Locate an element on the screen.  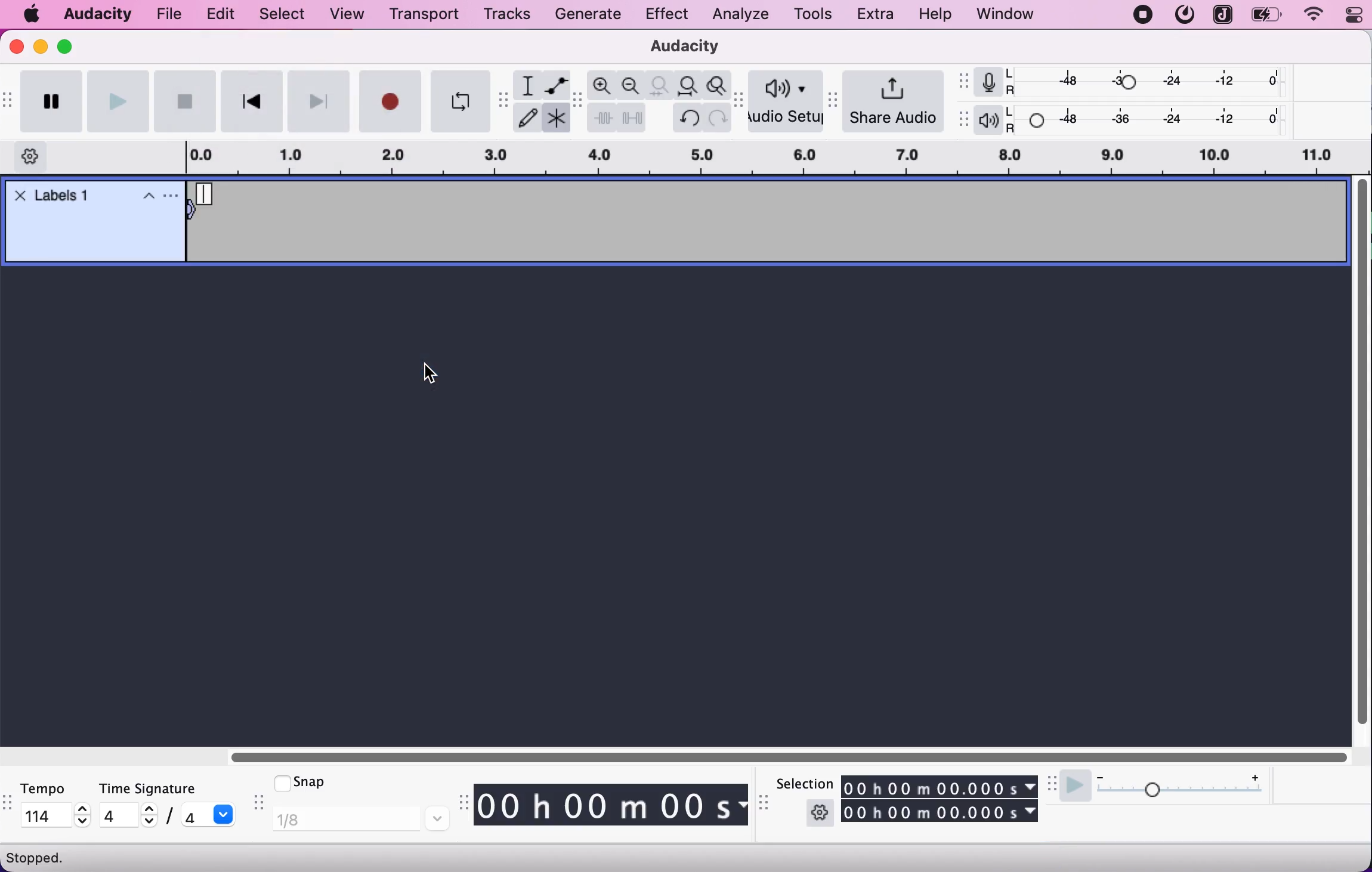
tempo is located at coordinates (52, 788).